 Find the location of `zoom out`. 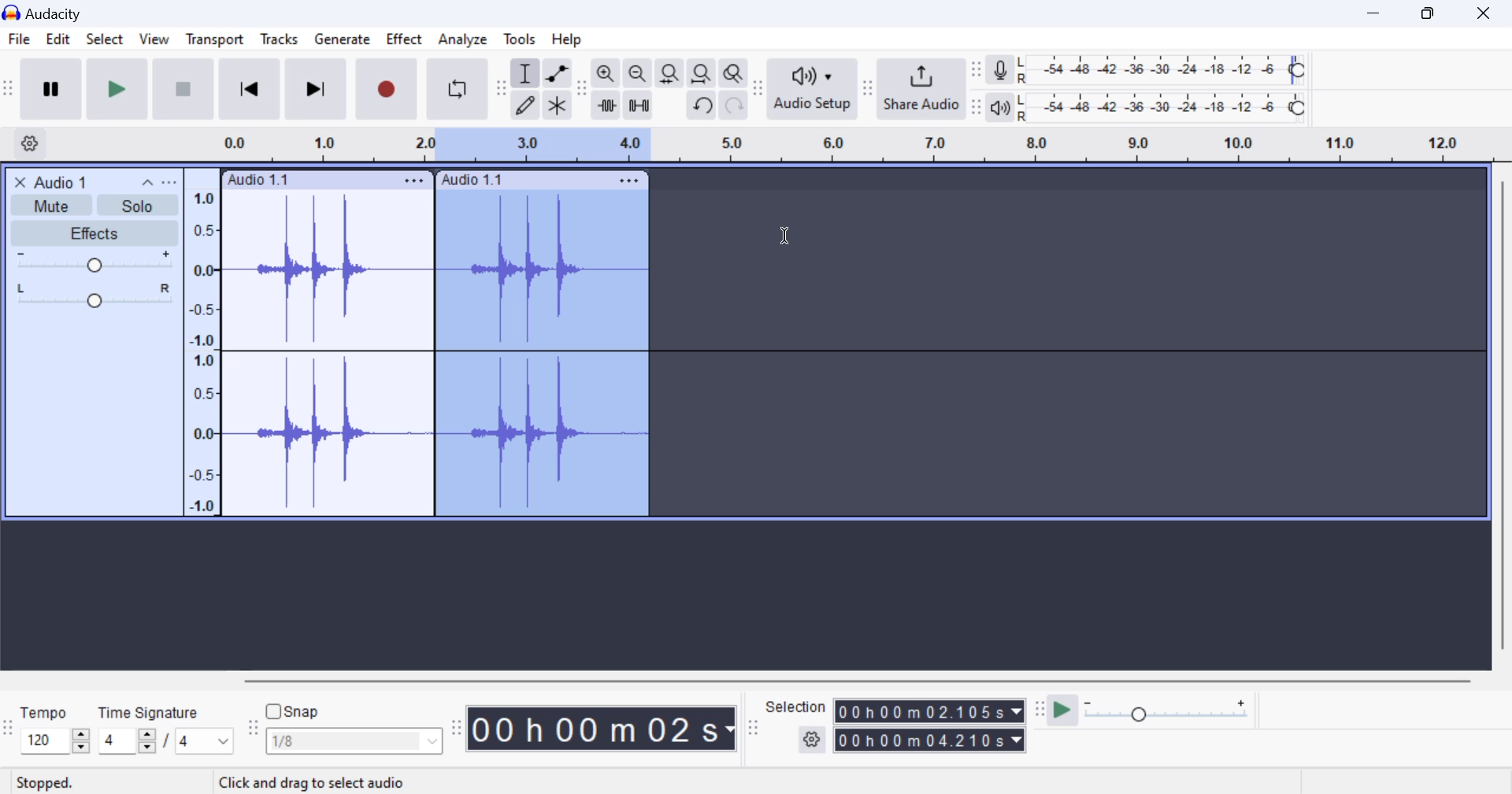

zoom out is located at coordinates (637, 75).